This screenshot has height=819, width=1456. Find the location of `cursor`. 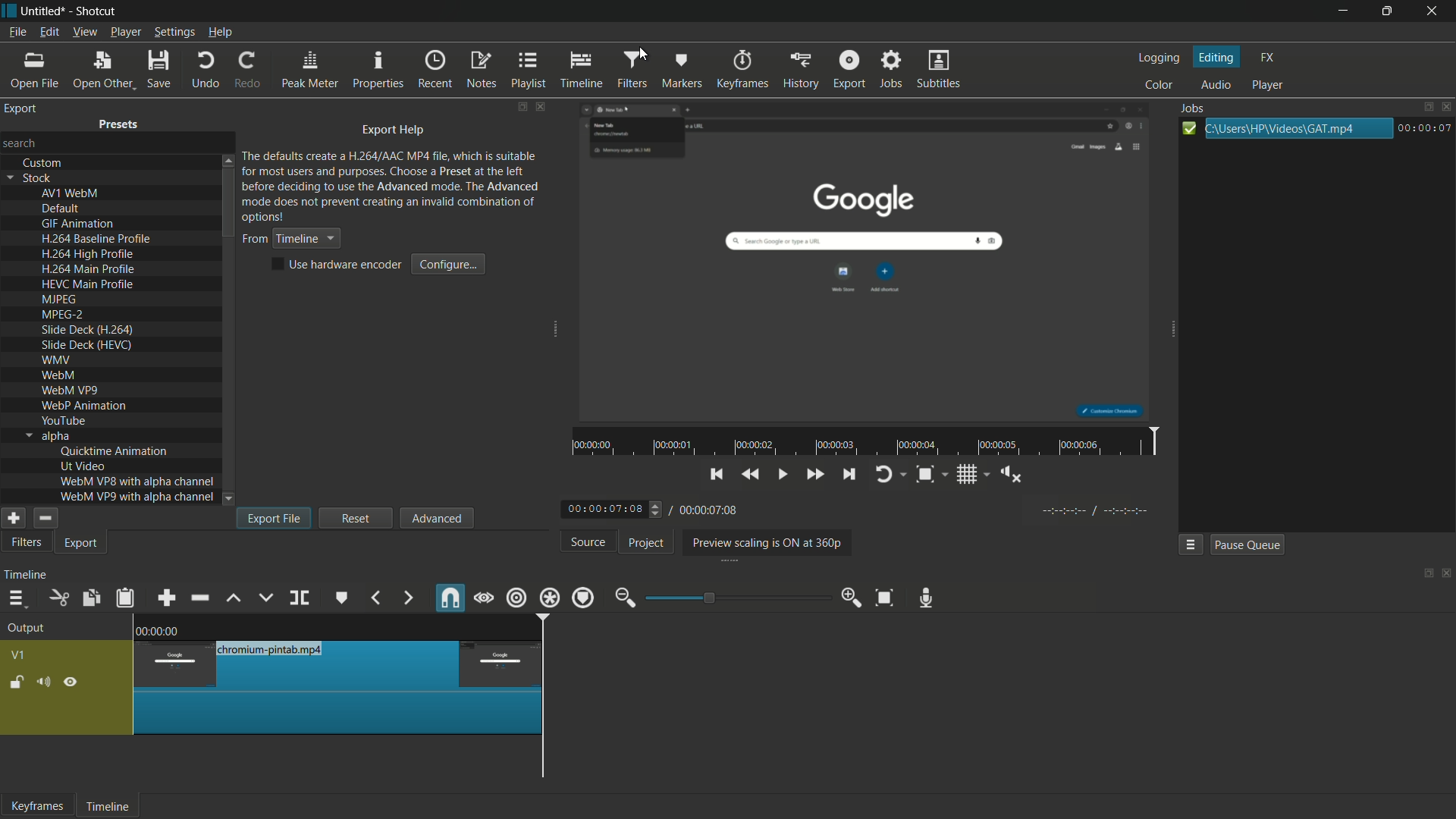

cursor is located at coordinates (644, 53).